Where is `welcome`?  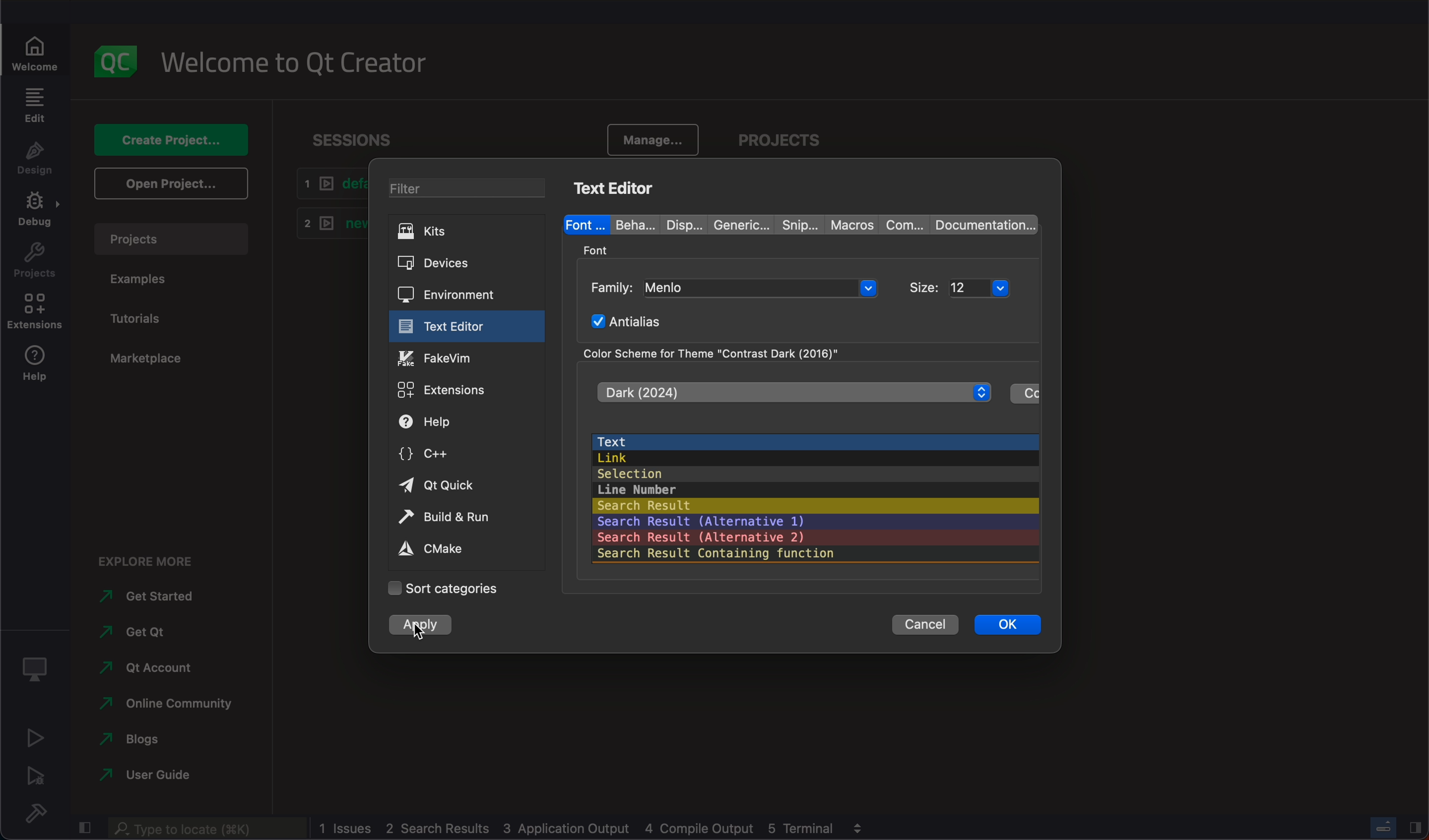
welcome is located at coordinates (39, 47).